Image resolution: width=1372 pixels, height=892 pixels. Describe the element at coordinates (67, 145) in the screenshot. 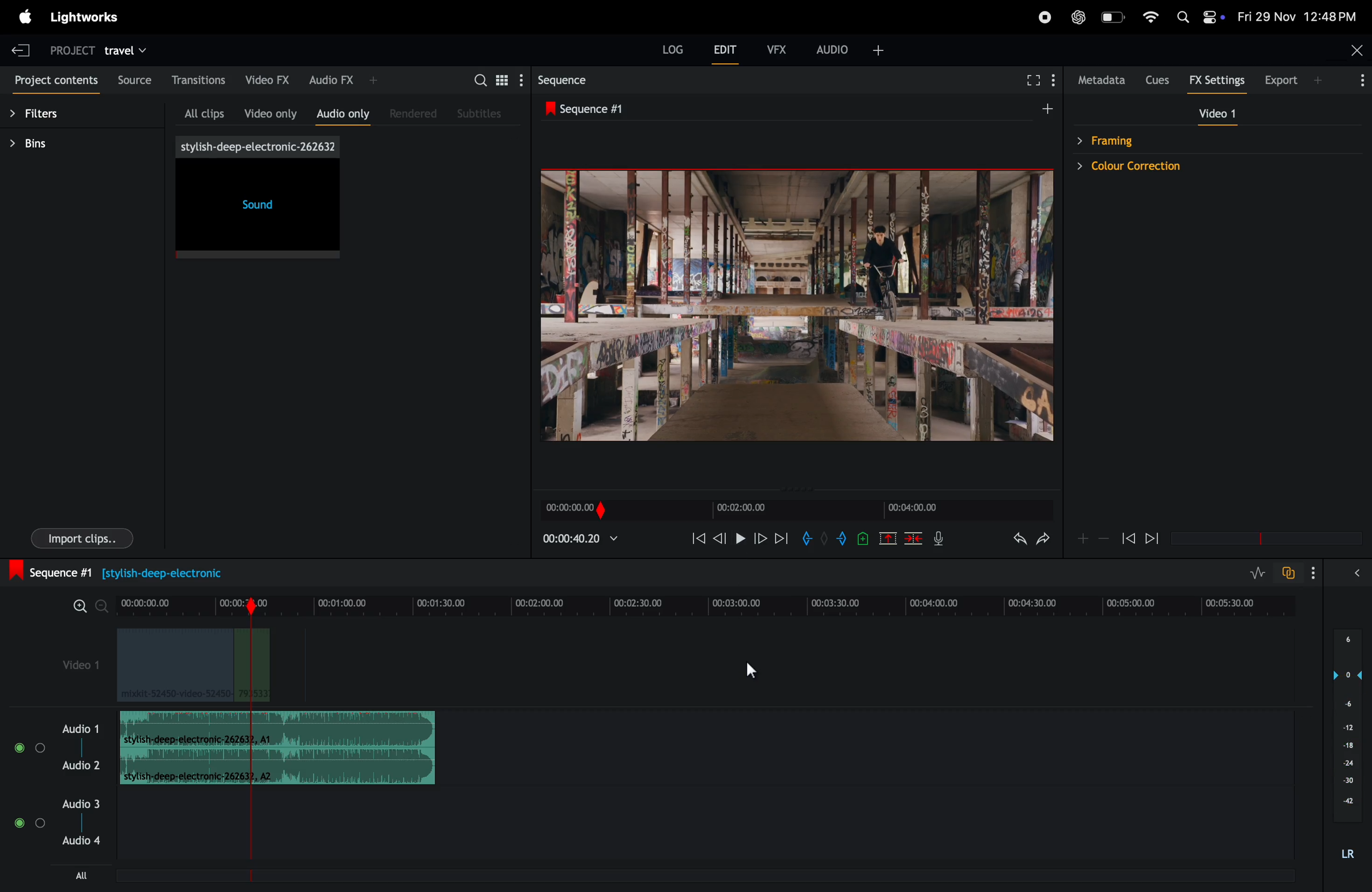

I see `bins` at that location.